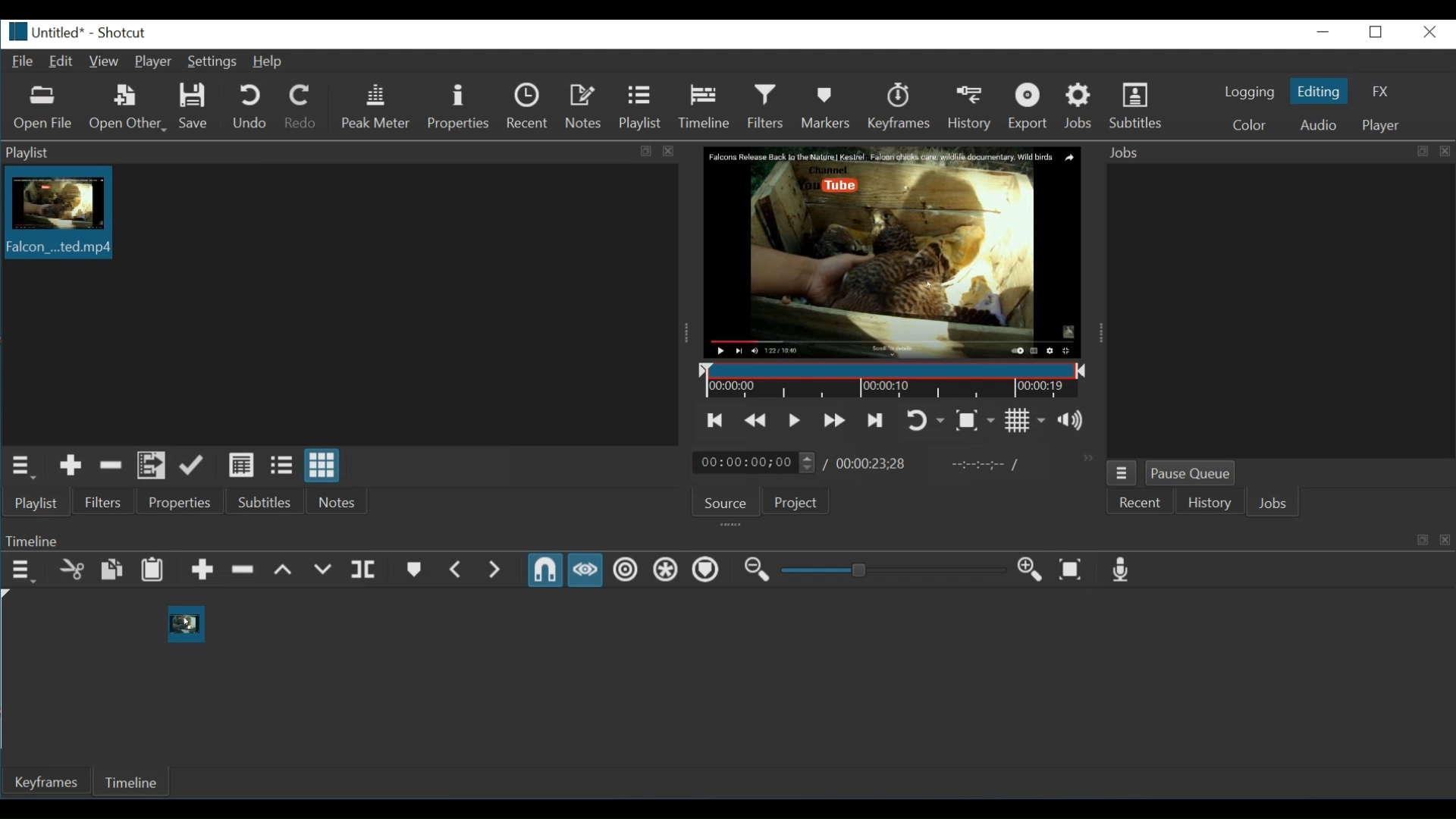 The width and height of the screenshot is (1456, 819). What do you see at coordinates (974, 421) in the screenshot?
I see `Toggle zoom` at bounding box center [974, 421].